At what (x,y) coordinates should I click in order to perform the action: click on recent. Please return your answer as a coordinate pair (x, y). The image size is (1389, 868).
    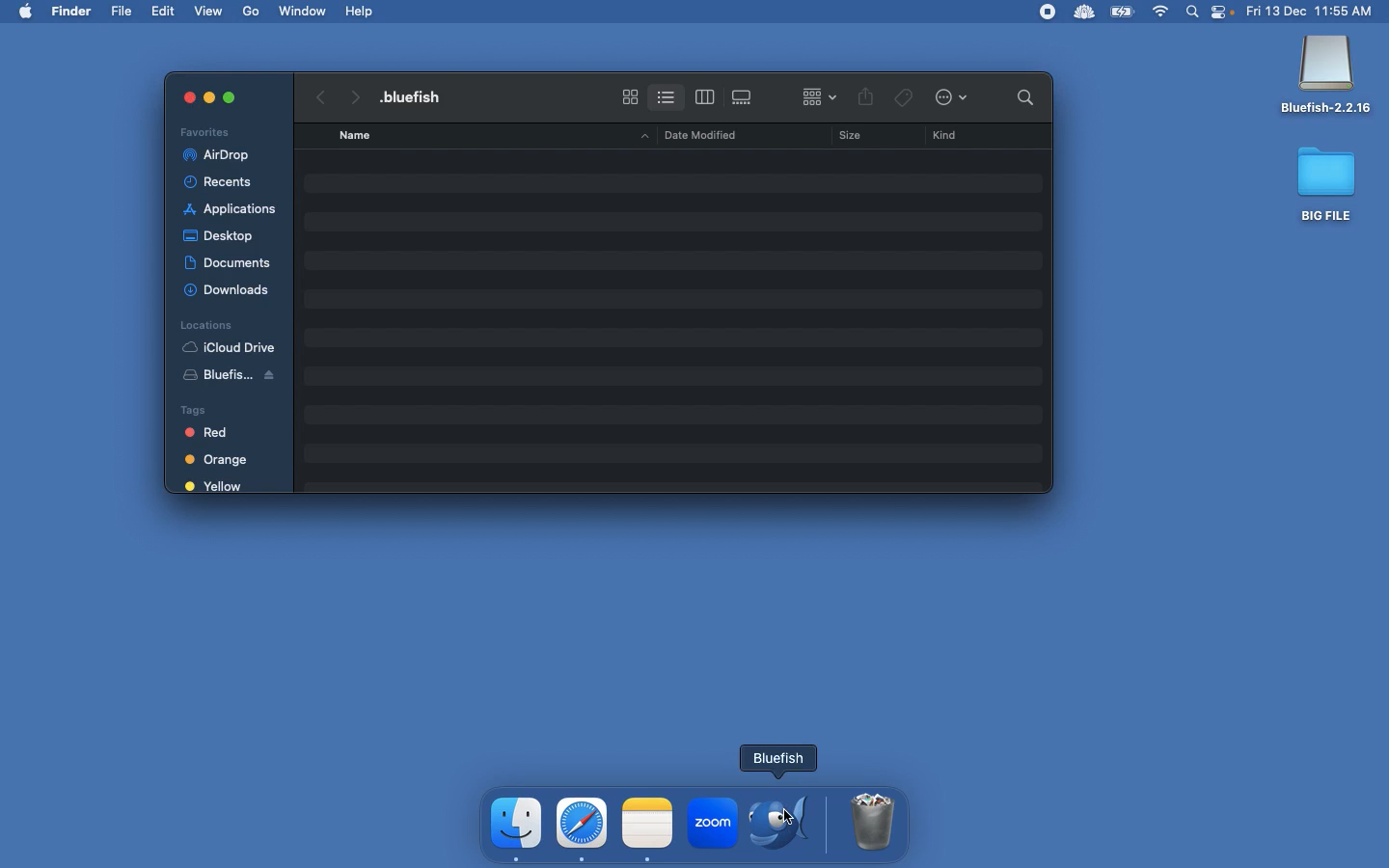
    Looking at the image, I should click on (226, 182).